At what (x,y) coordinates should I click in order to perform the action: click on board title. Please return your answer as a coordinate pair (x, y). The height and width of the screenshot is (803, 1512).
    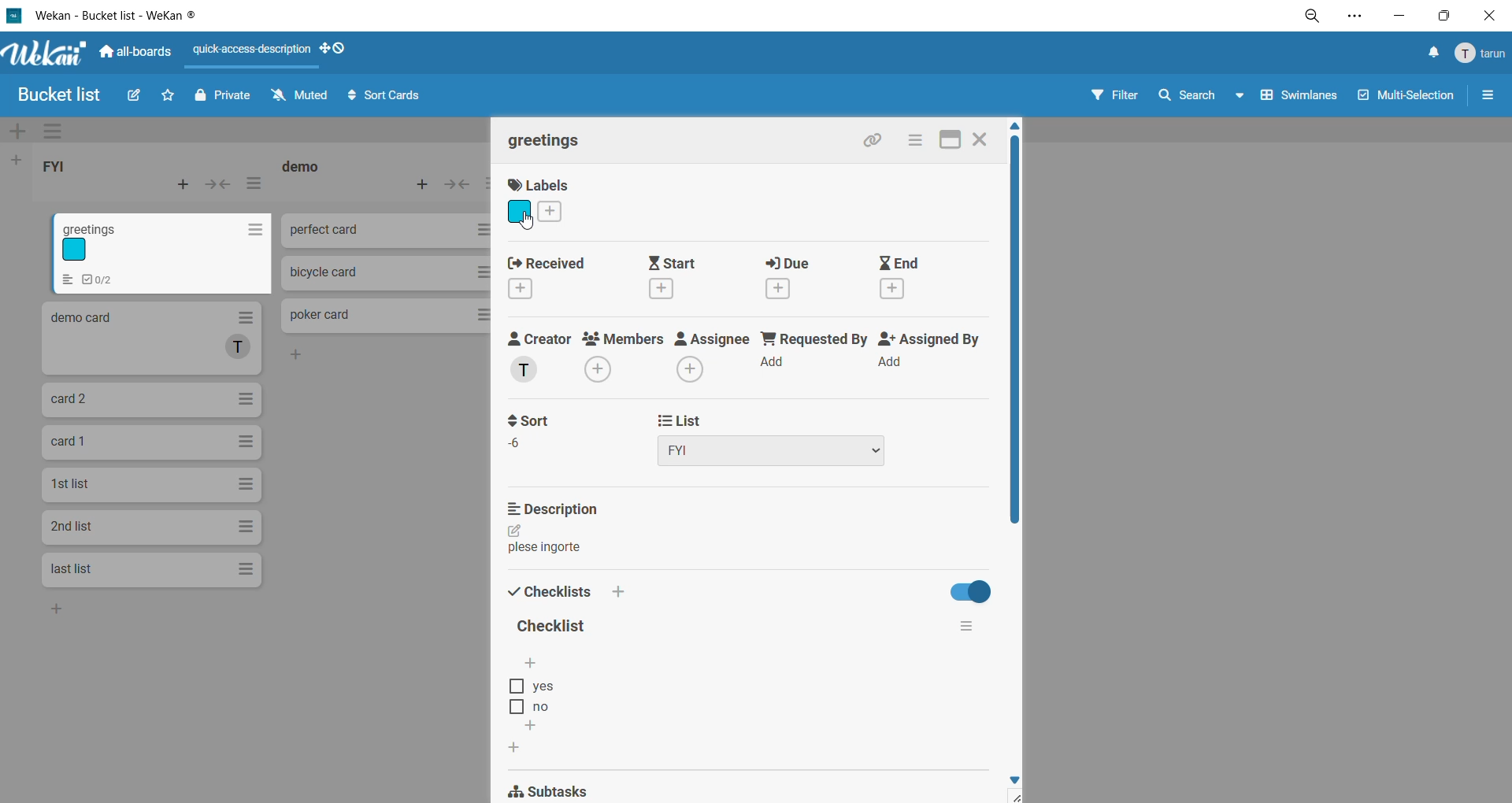
    Looking at the image, I should click on (58, 94).